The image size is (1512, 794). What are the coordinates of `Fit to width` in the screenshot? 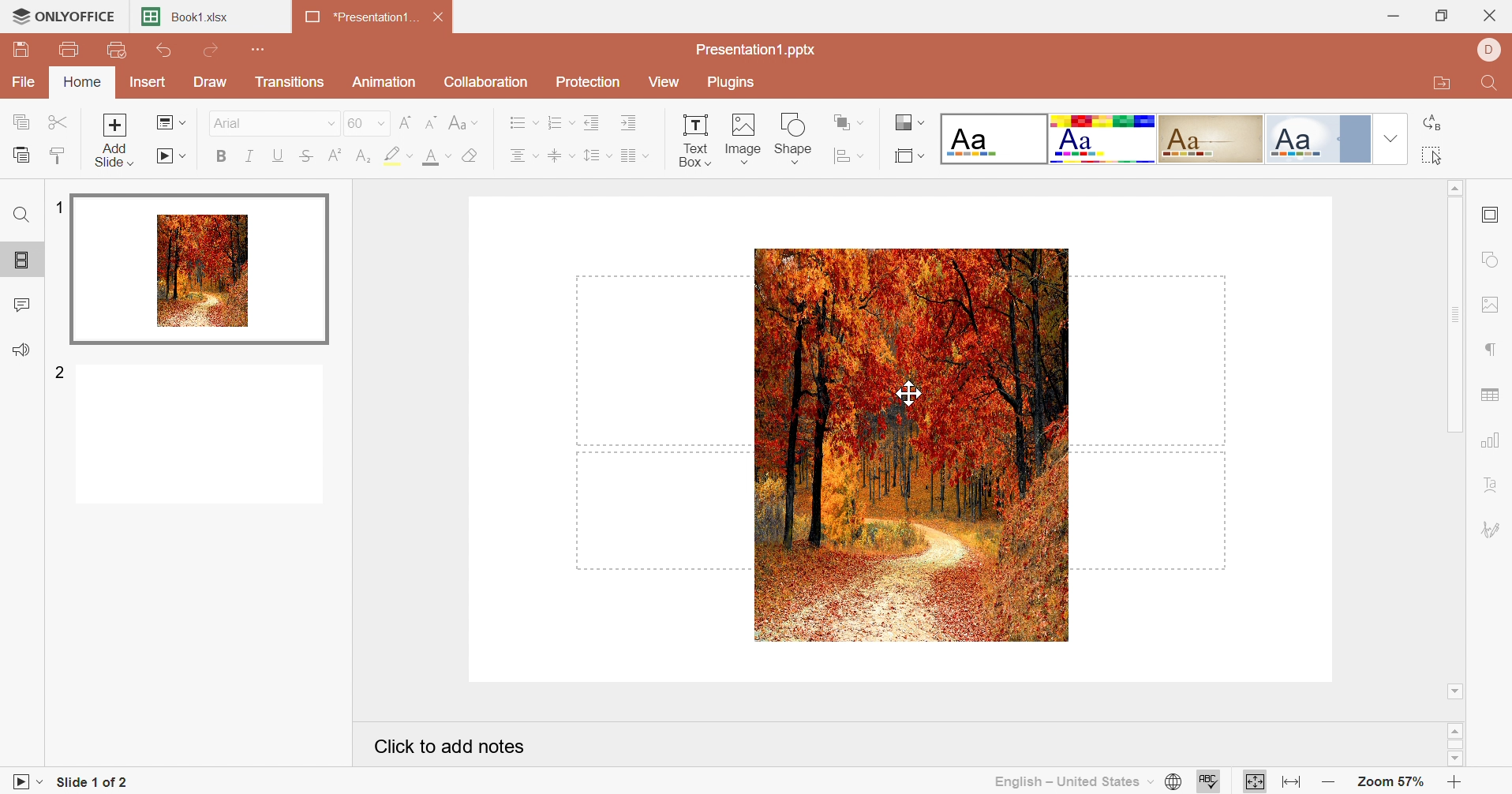 It's located at (1291, 782).